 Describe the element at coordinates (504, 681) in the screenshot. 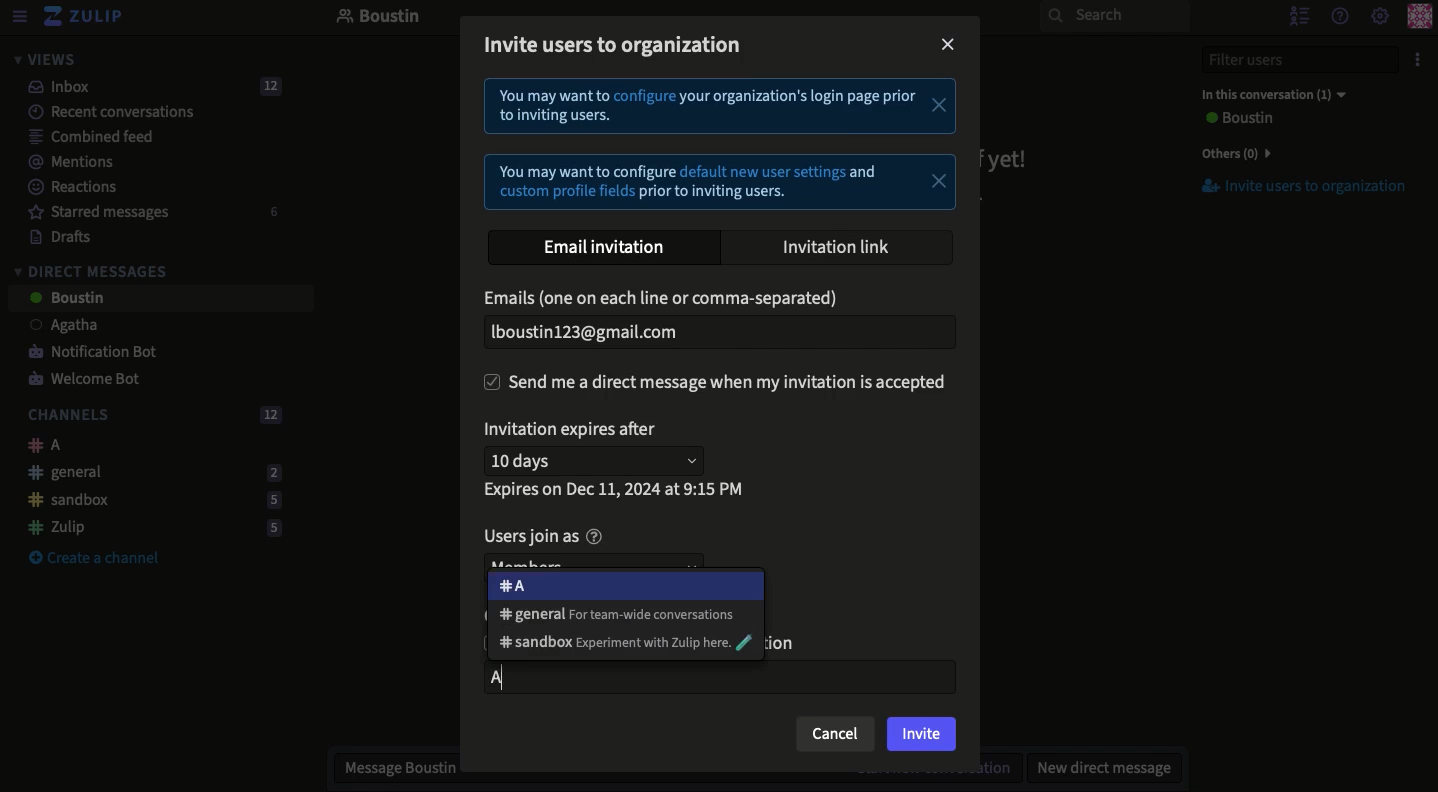

I see `text cursor` at that location.